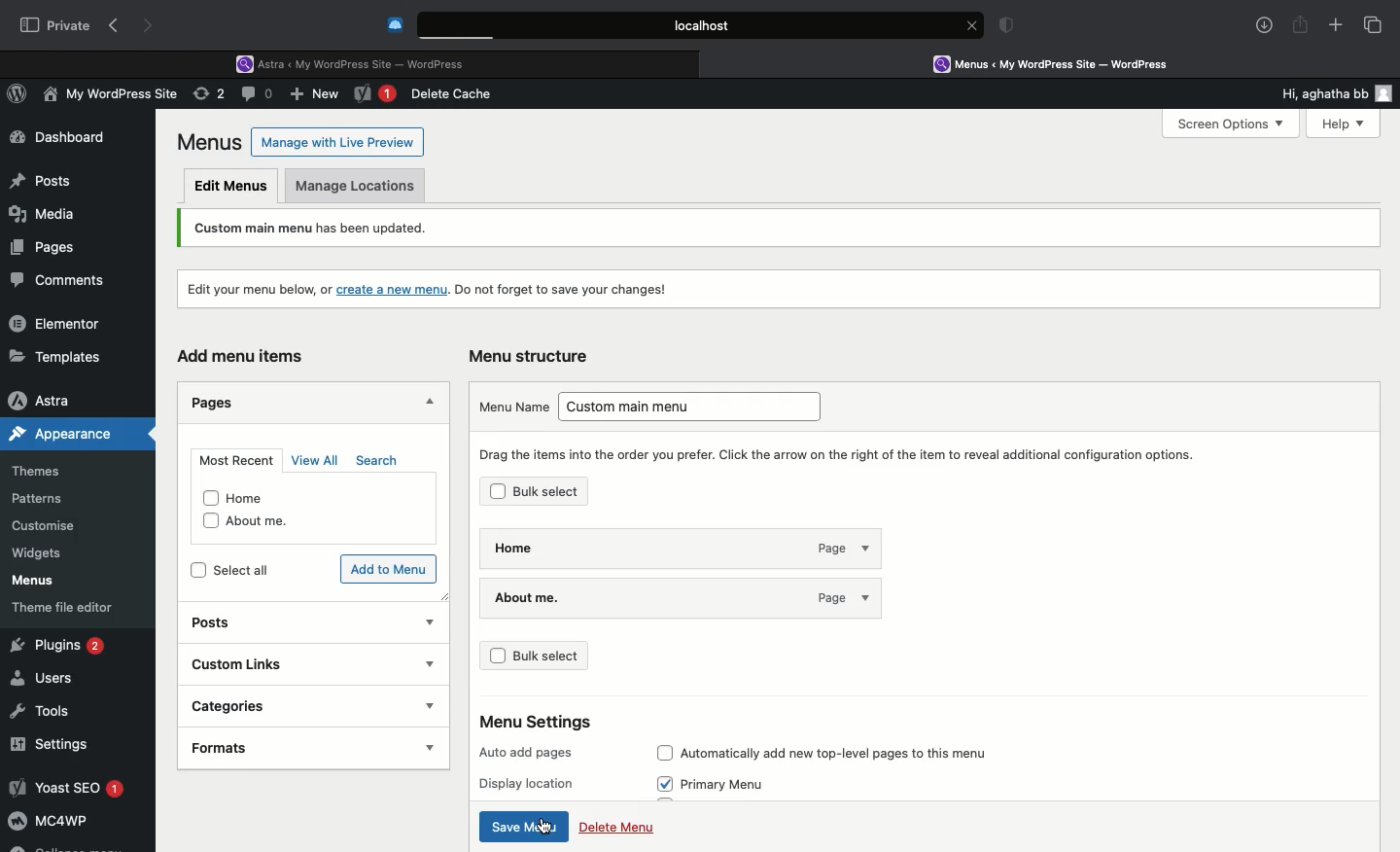 The image size is (1400, 852). What do you see at coordinates (58, 323) in the screenshot?
I see `Elementor` at bounding box center [58, 323].